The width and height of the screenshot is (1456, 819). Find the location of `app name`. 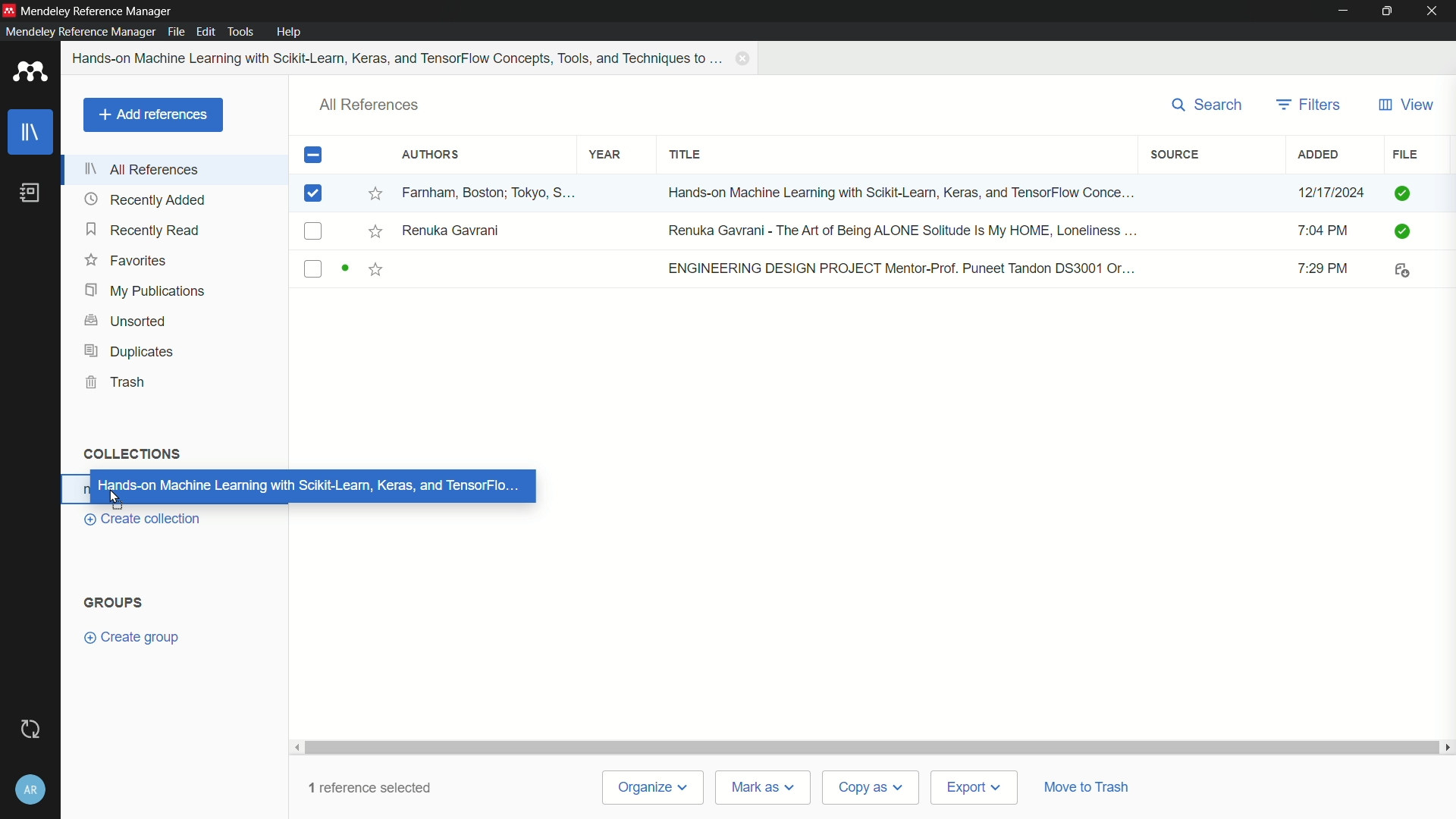

app name is located at coordinates (98, 11).